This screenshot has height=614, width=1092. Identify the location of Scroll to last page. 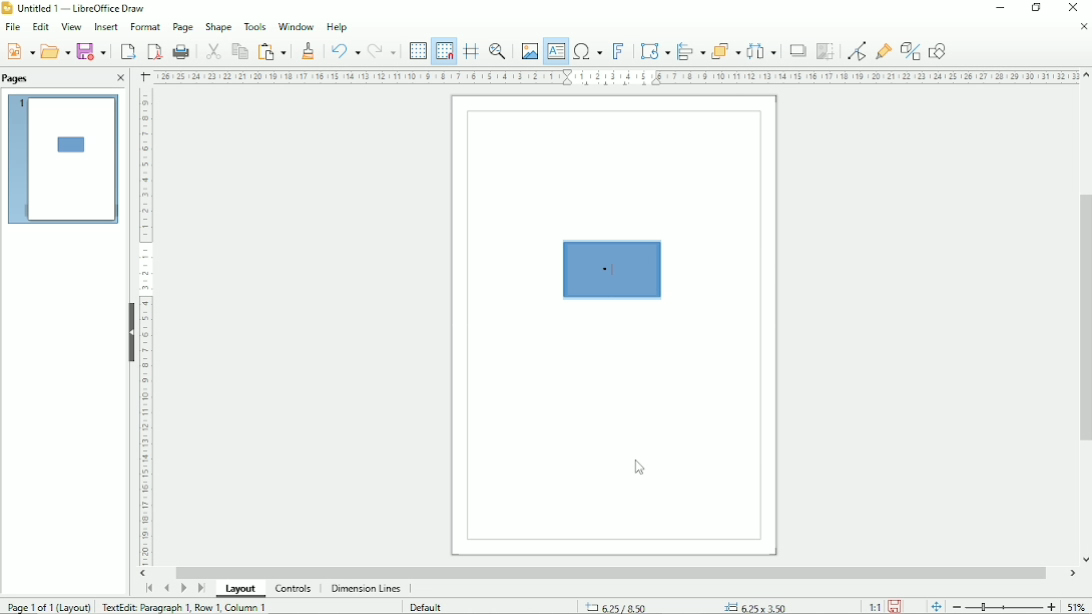
(201, 588).